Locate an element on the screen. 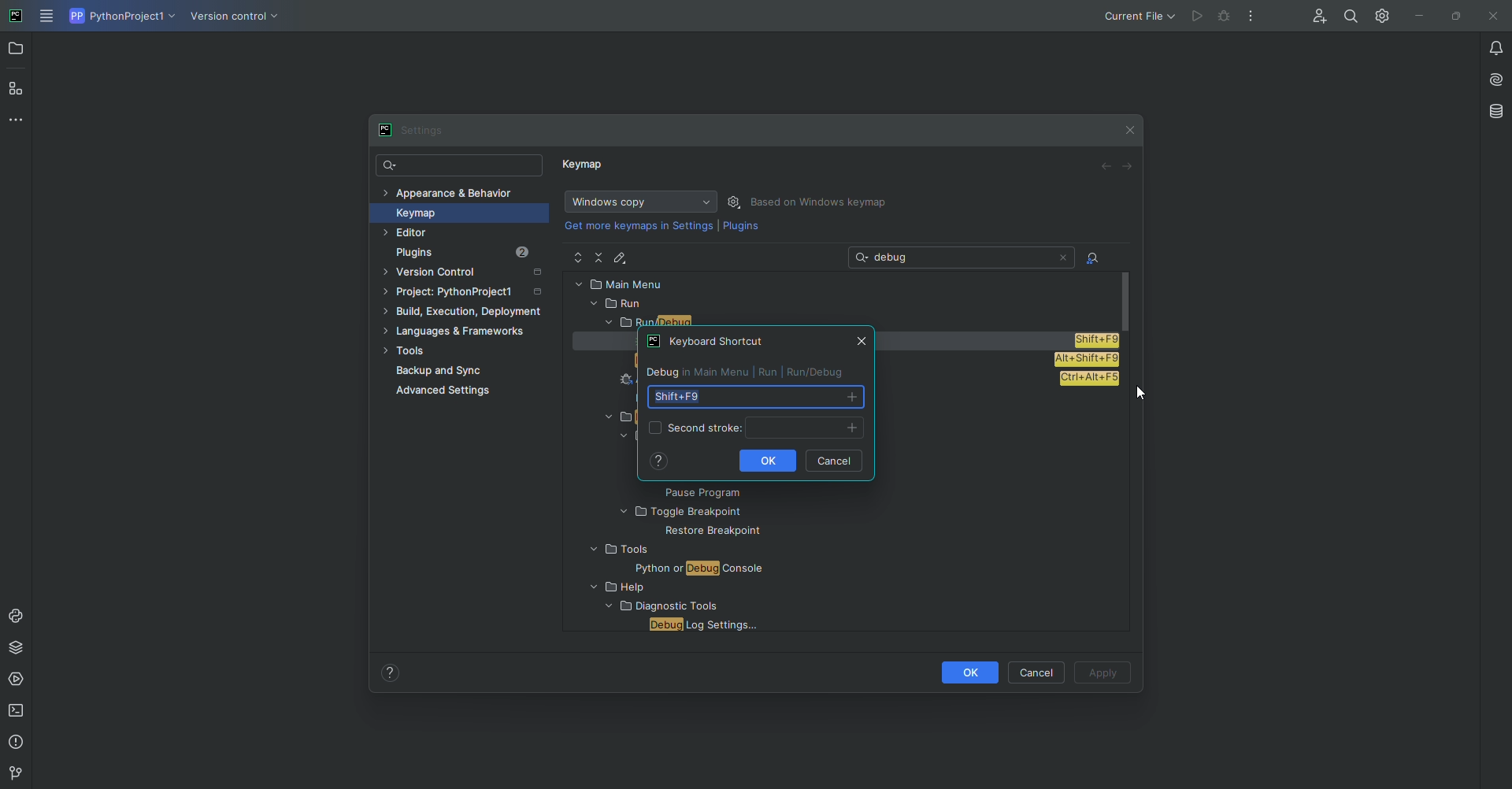 The height and width of the screenshot is (789, 1512). Settings is located at coordinates (418, 130).